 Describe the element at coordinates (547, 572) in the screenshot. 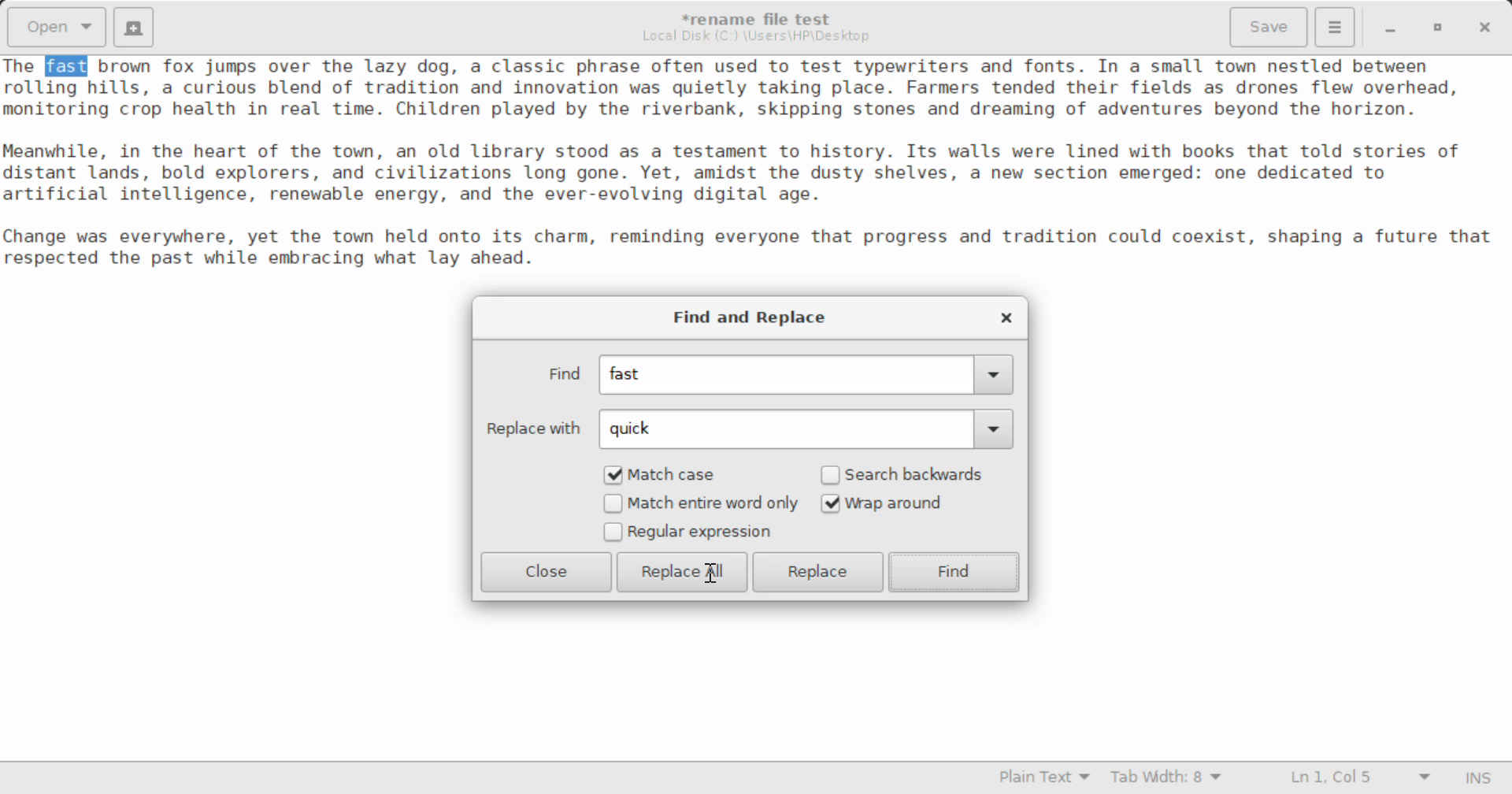

I see `Close` at that location.